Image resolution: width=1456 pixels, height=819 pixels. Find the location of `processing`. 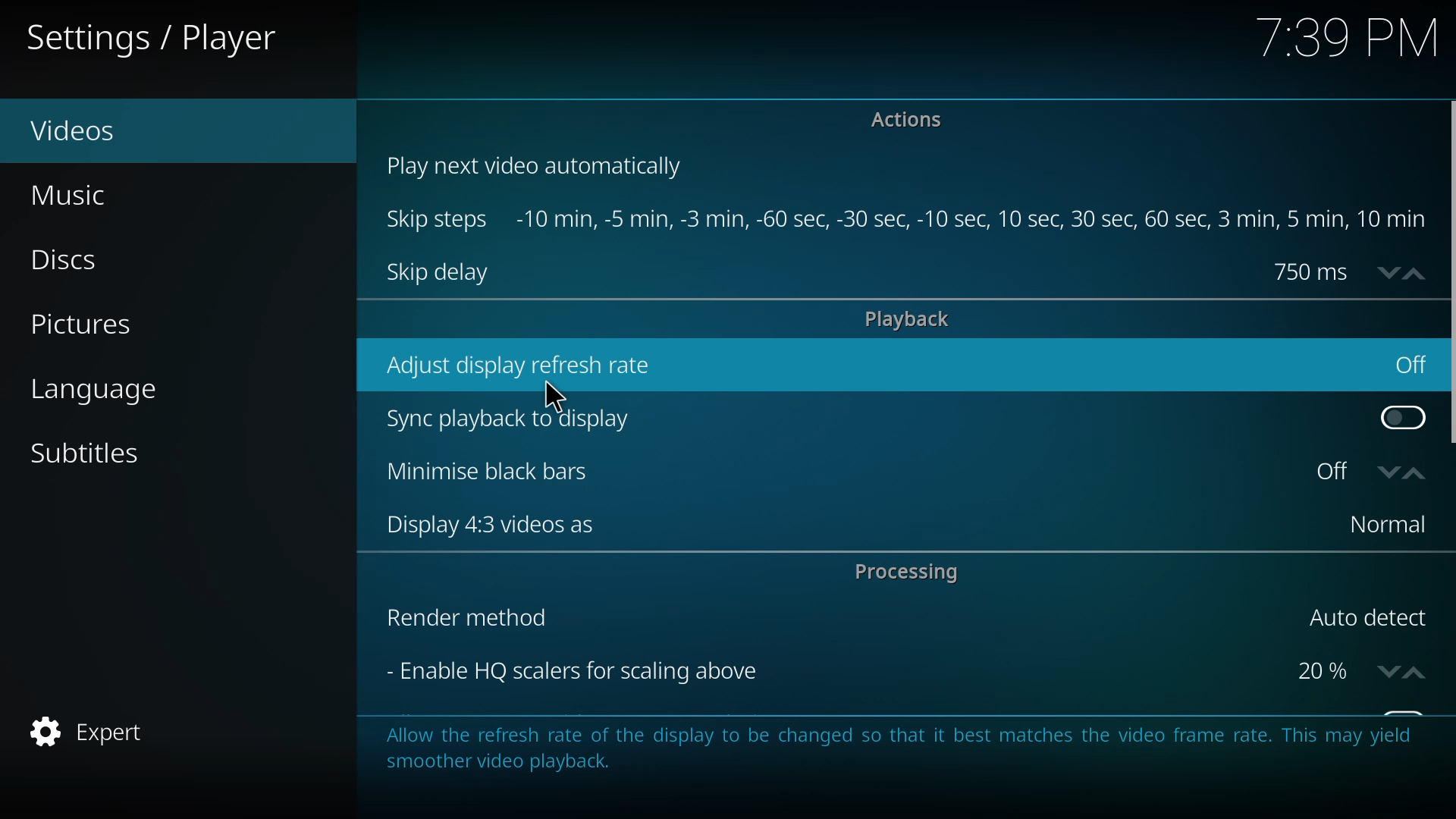

processing is located at coordinates (907, 572).